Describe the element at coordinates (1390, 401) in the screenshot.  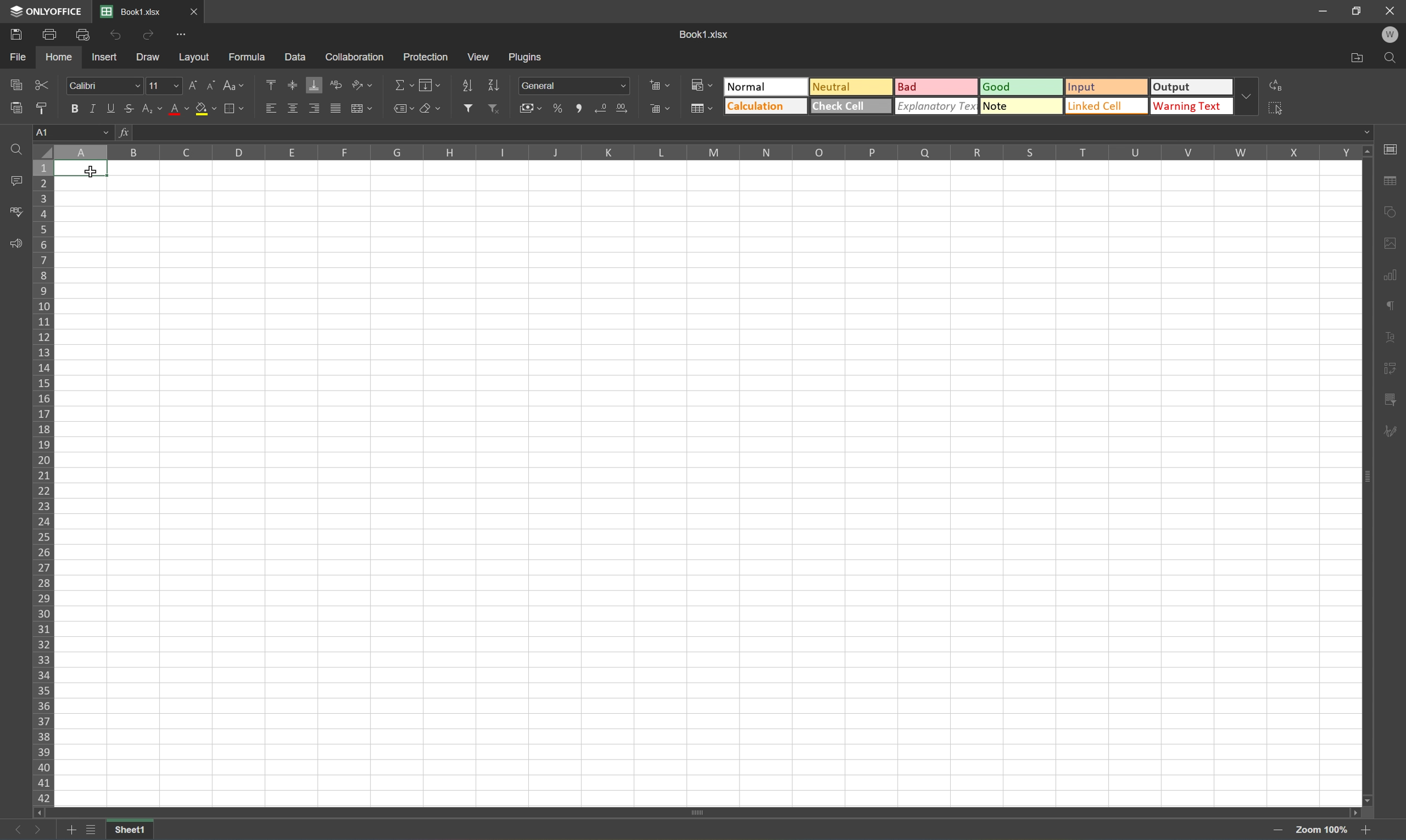
I see `Pivot table settings` at that location.